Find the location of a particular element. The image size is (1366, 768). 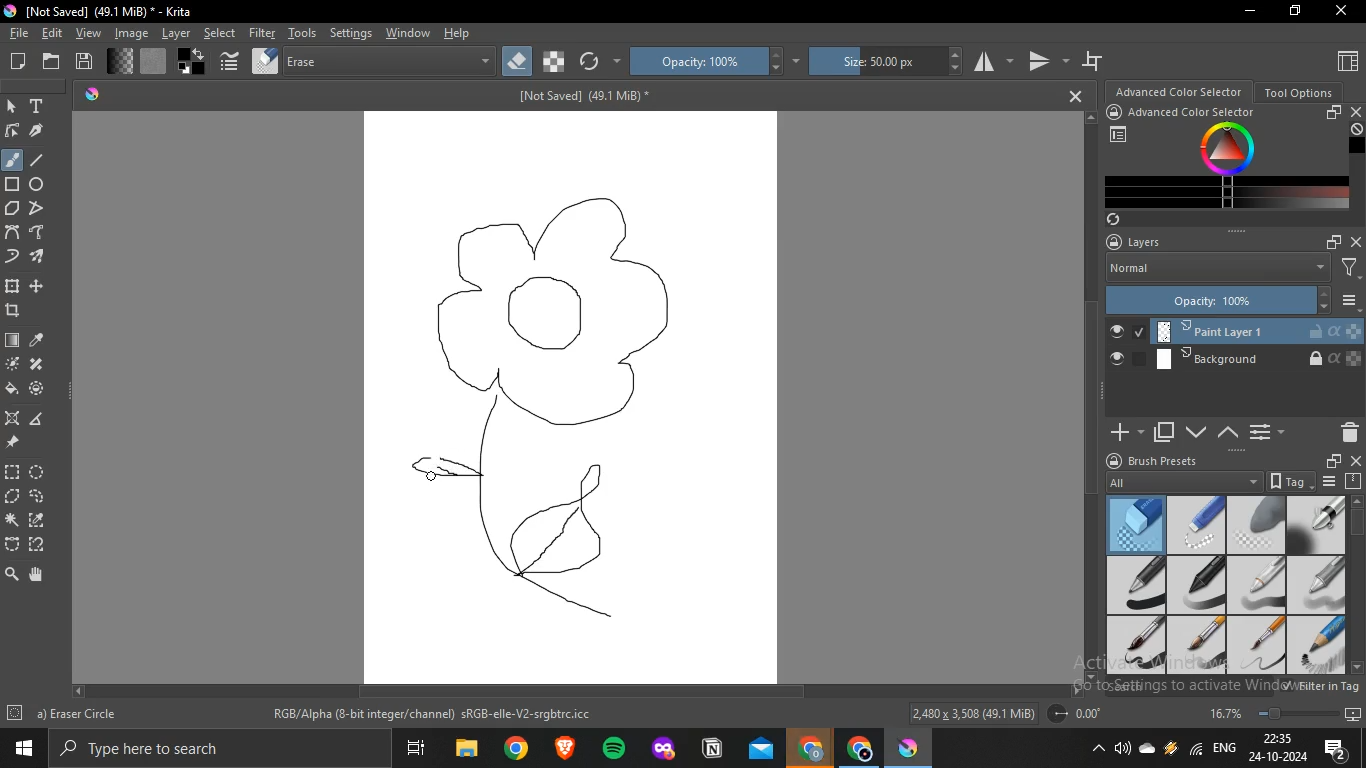

close is located at coordinates (1357, 461).